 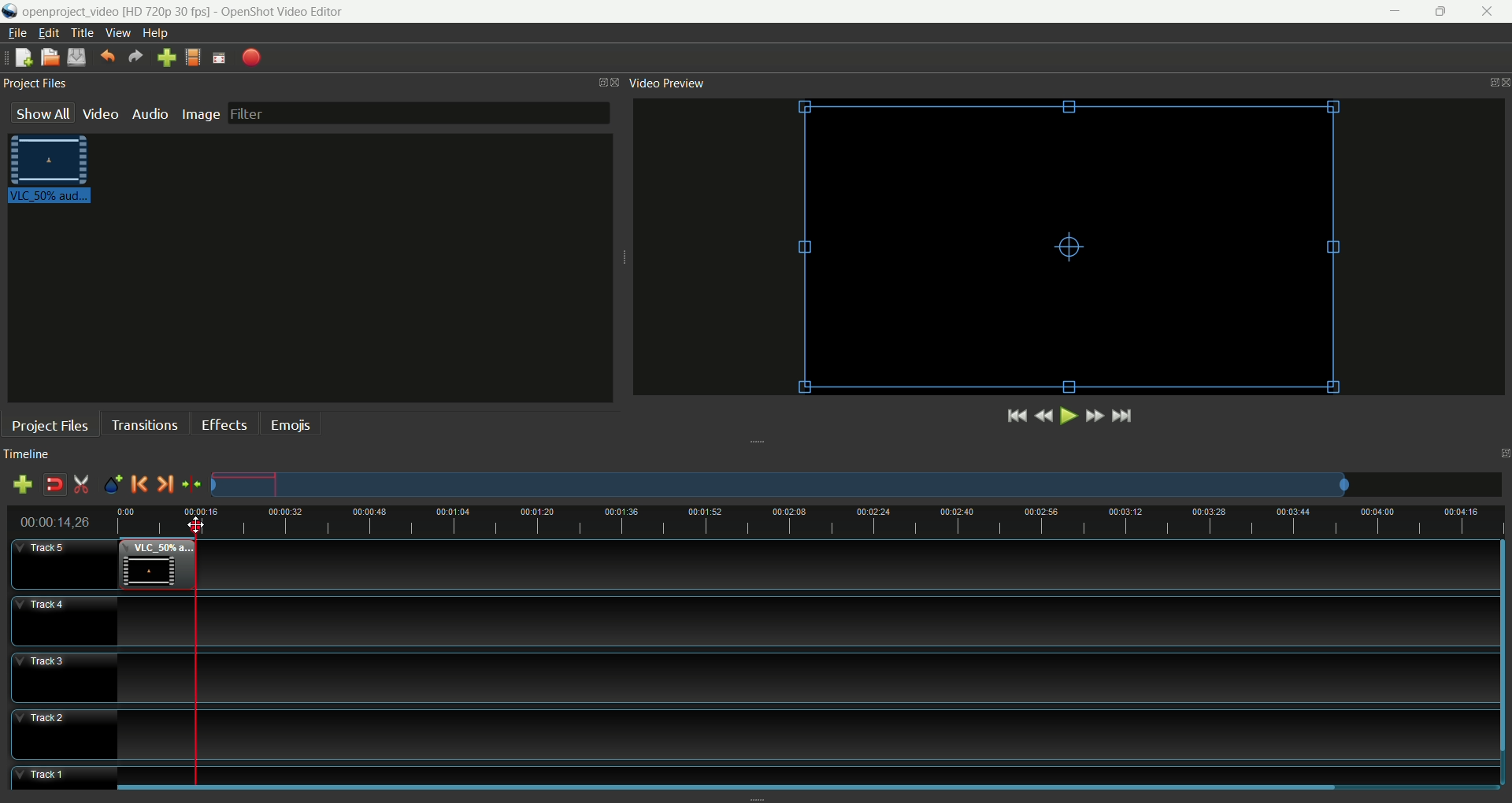 What do you see at coordinates (65, 735) in the screenshot?
I see `track2` at bounding box center [65, 735].